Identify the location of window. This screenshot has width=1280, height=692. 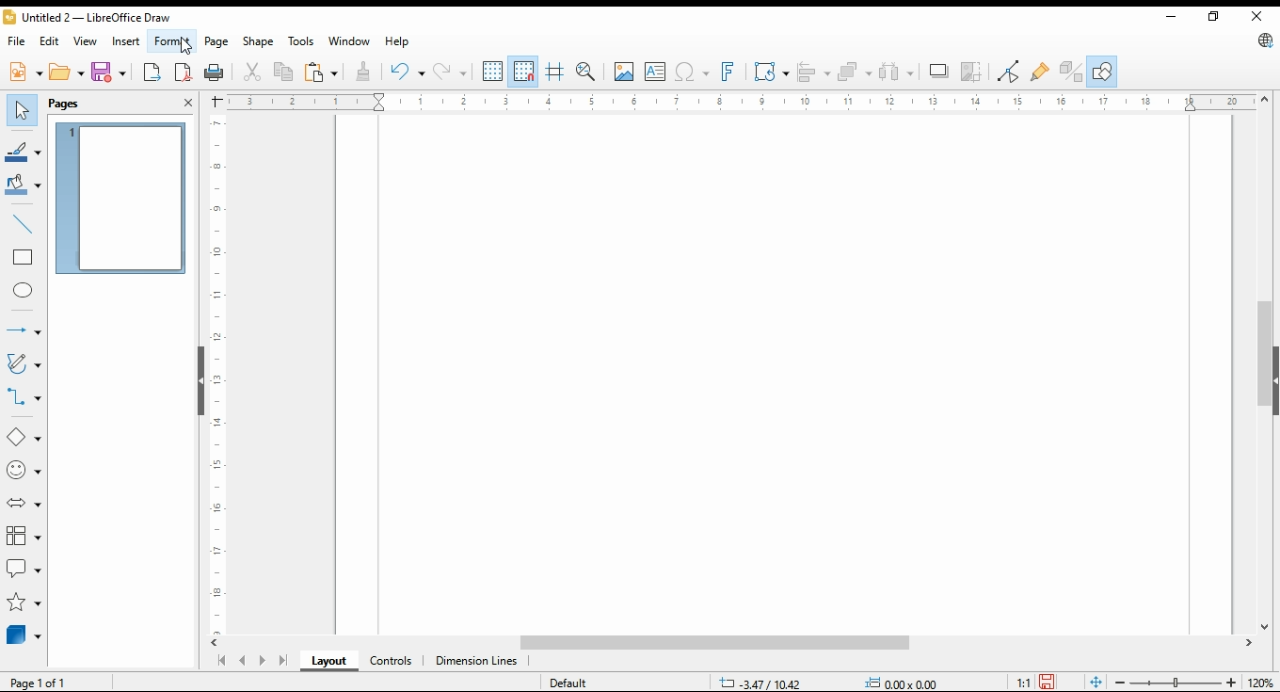
(348, 41).